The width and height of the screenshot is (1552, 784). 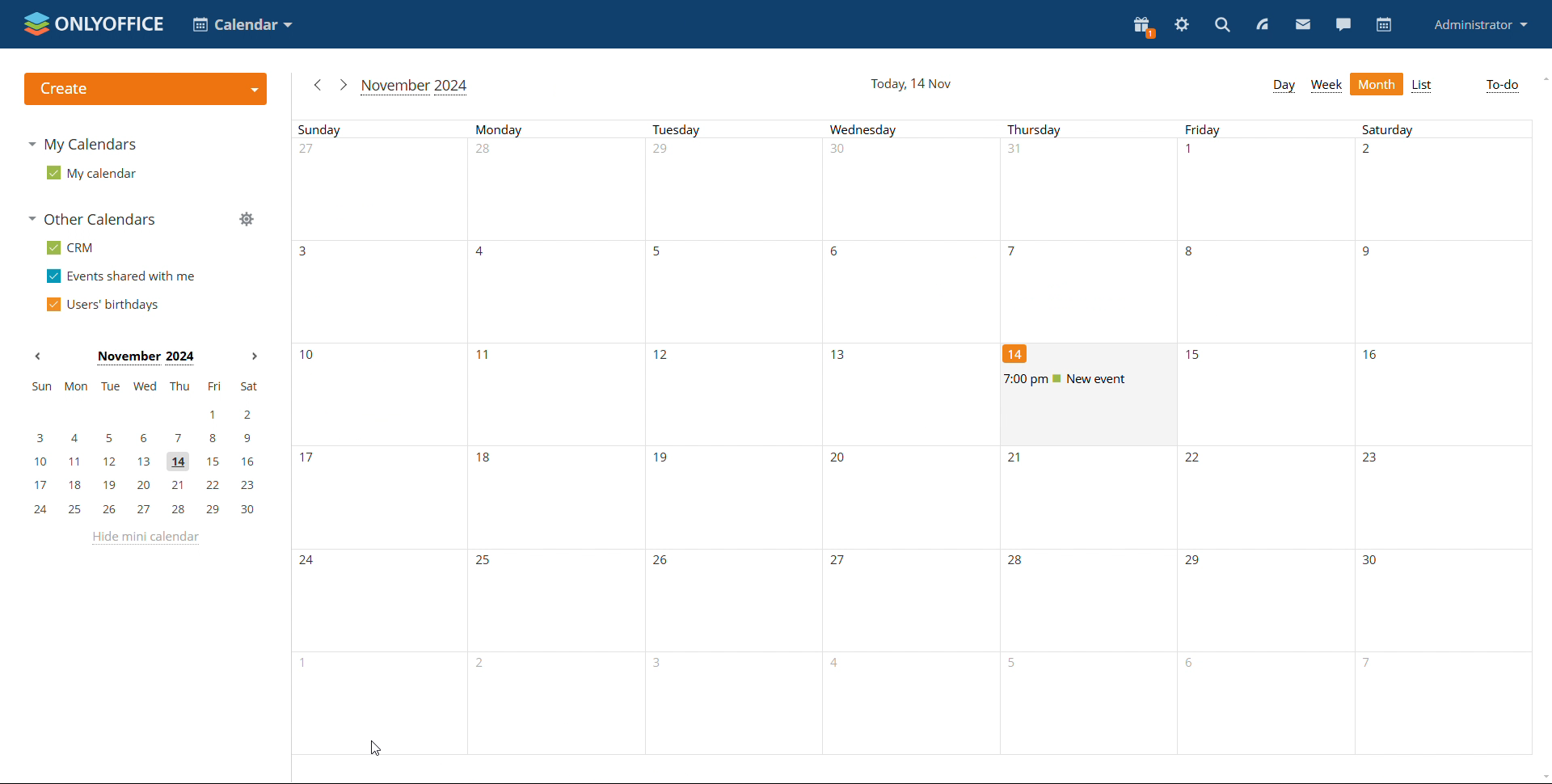 I want to click on mini calendar, so click(x=143, y=448).